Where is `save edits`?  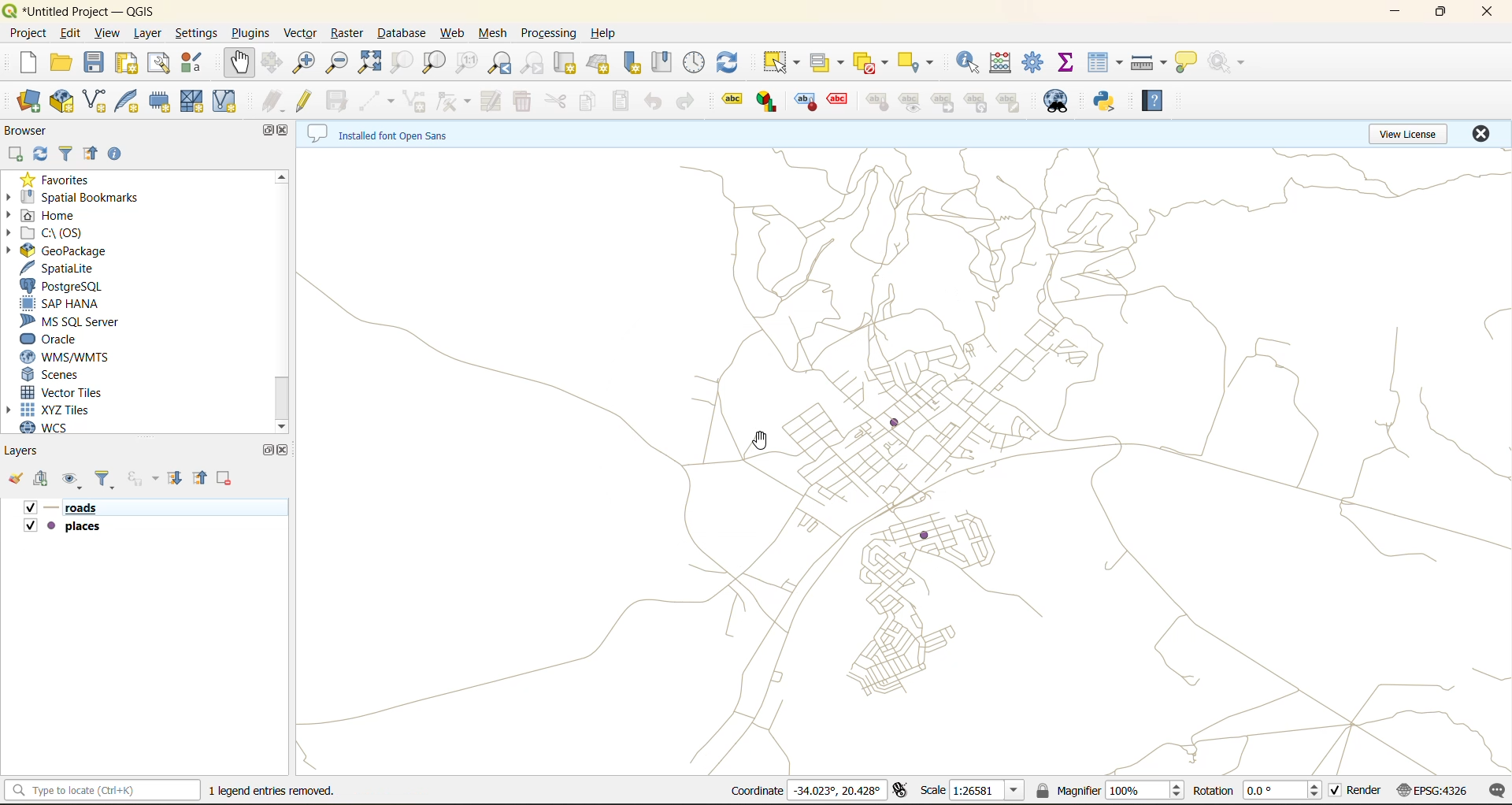 save edits is located at coordinates (343, 104).